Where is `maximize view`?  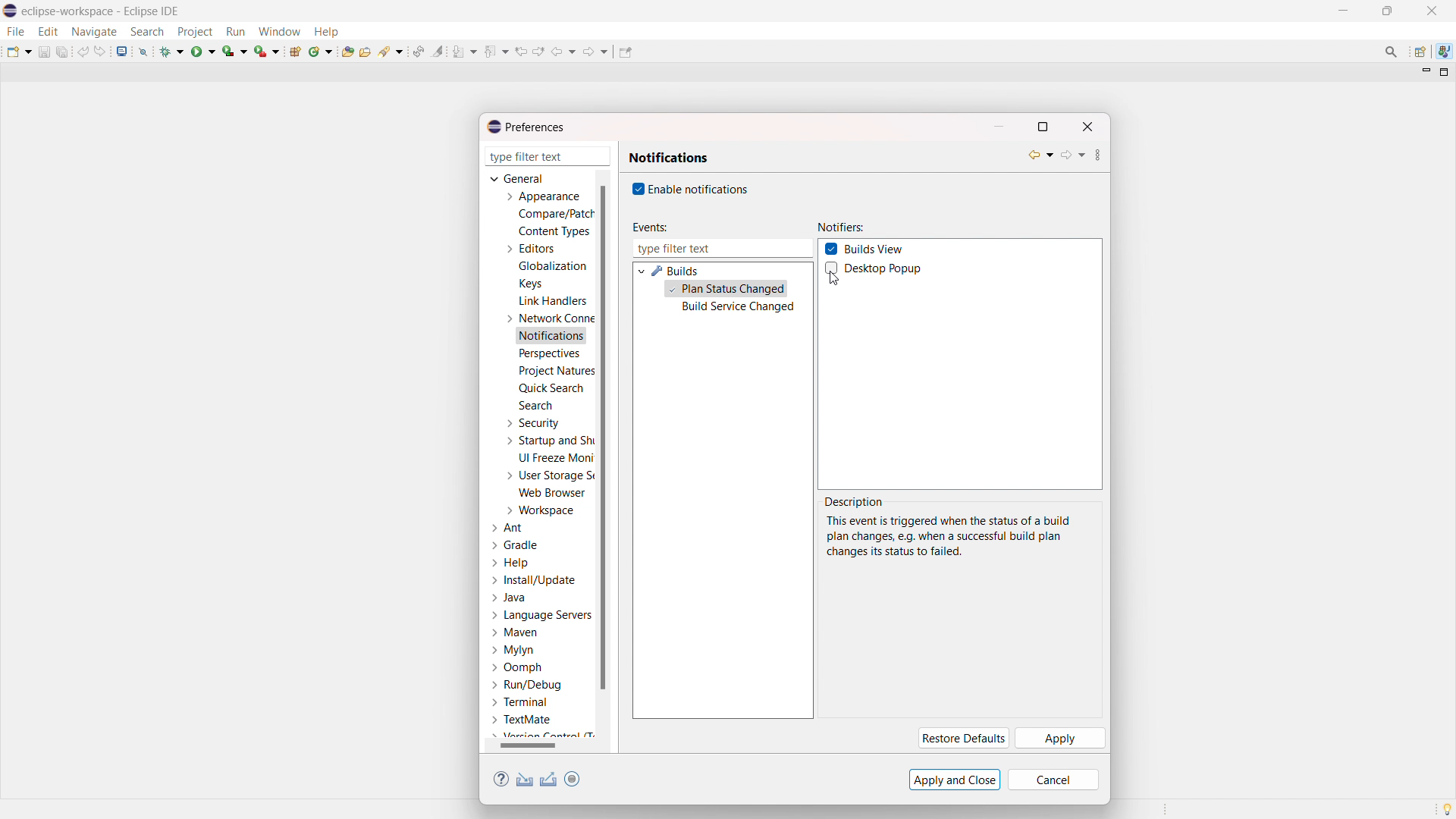 maximize view is located at coordinates (1445, 72).